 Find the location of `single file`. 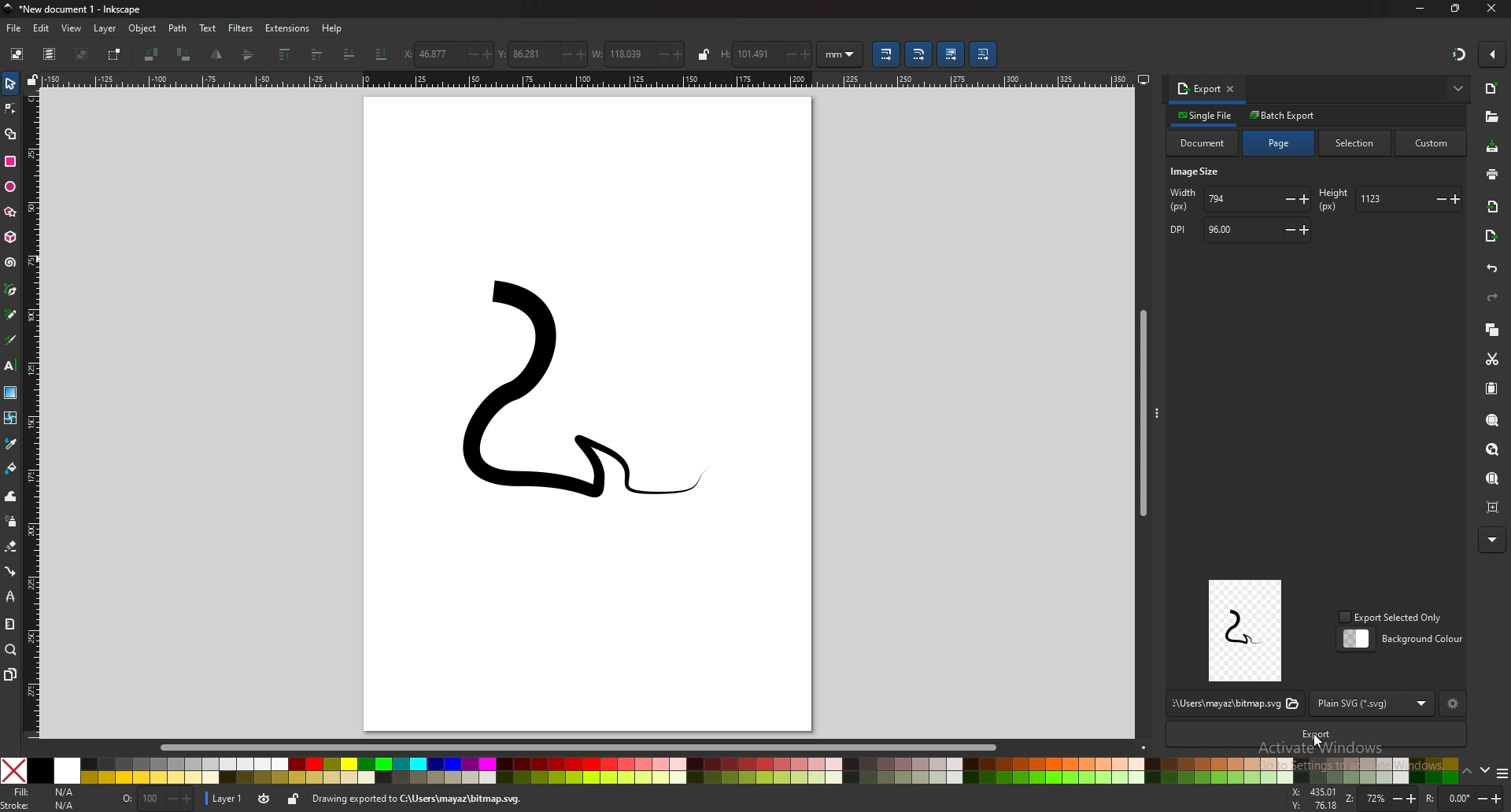

single file is located at coordinates (1206, 115).